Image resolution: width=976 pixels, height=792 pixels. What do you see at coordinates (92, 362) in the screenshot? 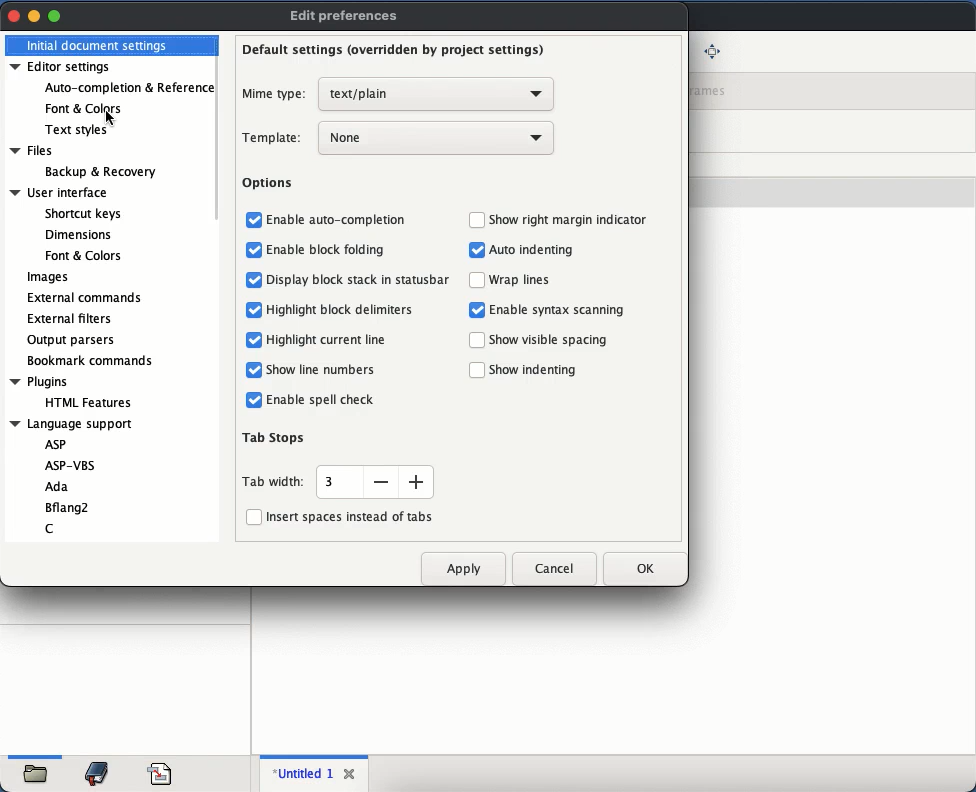
I see `bookmark commands` at bounding box center [92, 362].